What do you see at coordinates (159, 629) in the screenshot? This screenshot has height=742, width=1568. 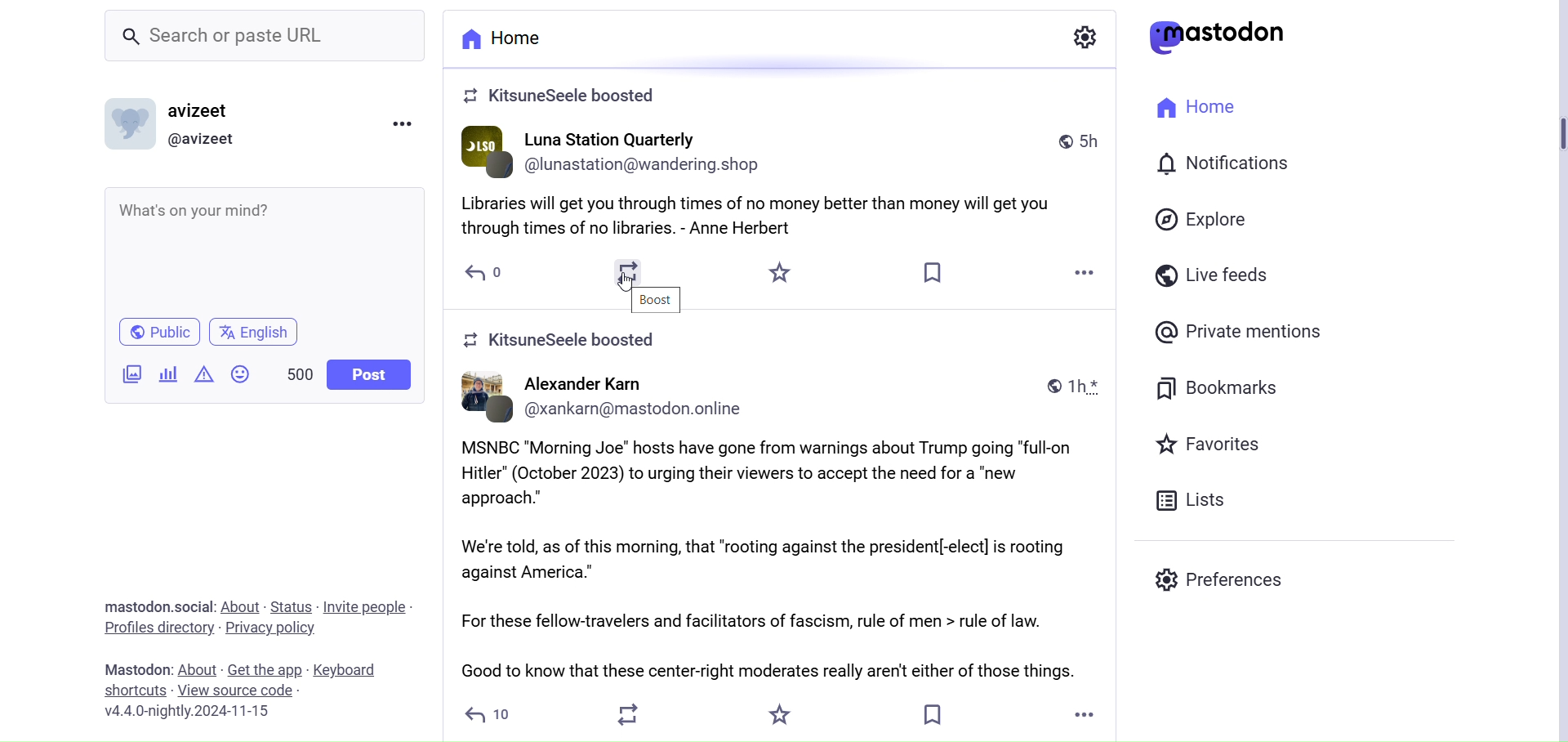 I see `Profiles Directory` at bounding box center [159, 629].